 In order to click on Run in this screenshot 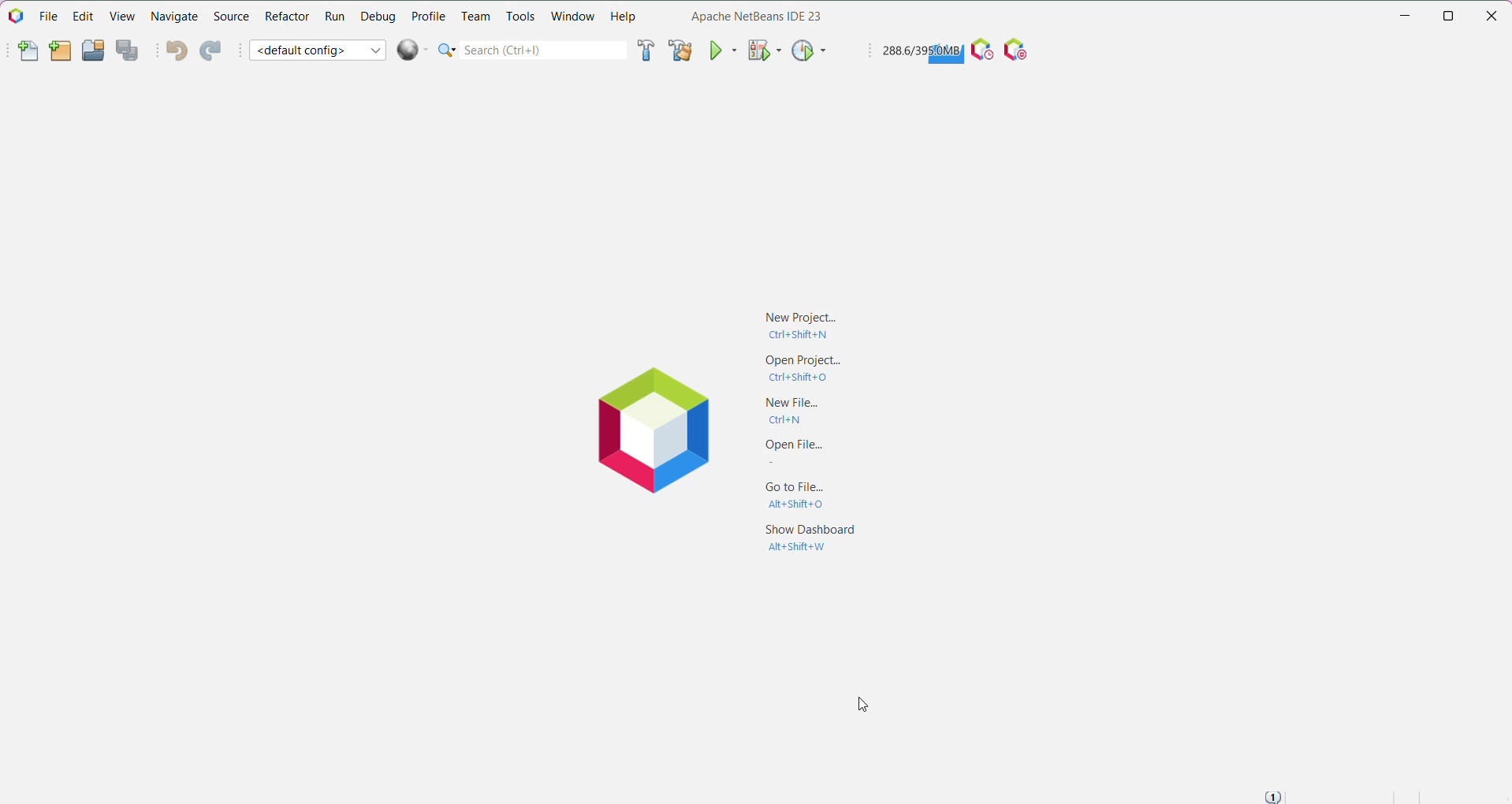, I will do `click(333, 17)`.